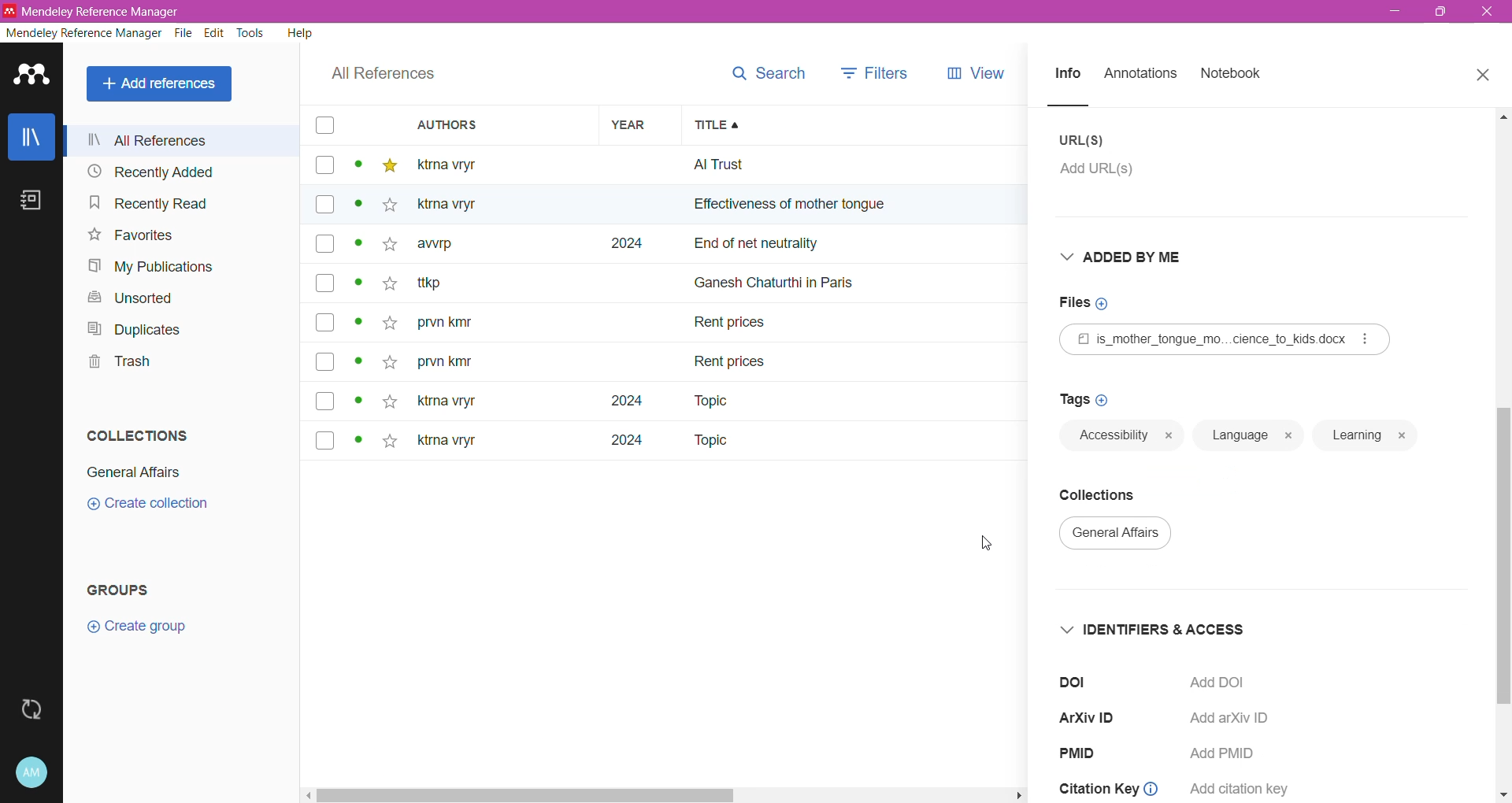 The width and height of the screenshot is (1512, 803). Describe the element at coordinates (1236, 753) in the screenshot. I see `Add PMID` at that location.